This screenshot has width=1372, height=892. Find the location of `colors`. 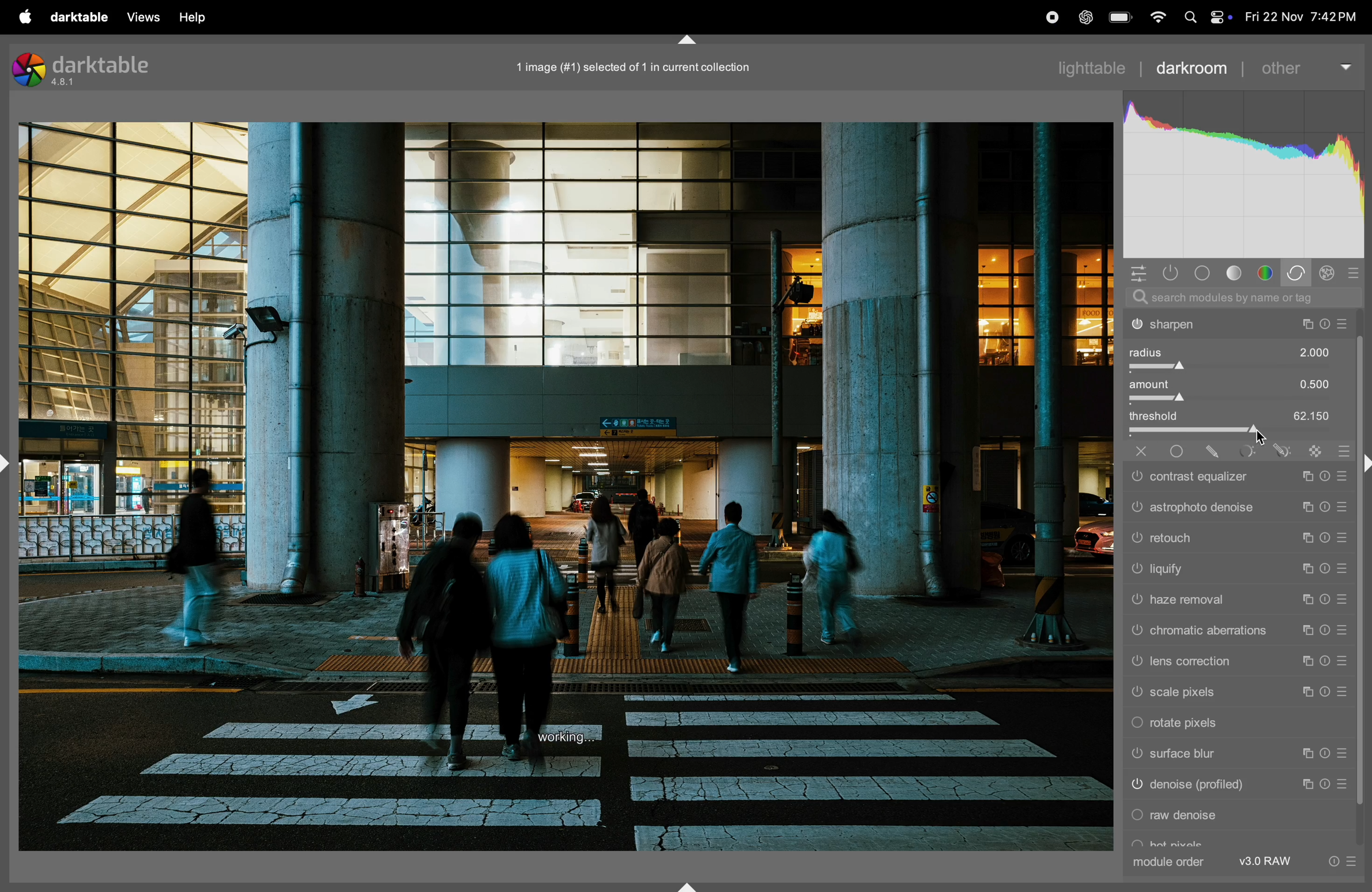

colors is located at coordinates (1265, 272).